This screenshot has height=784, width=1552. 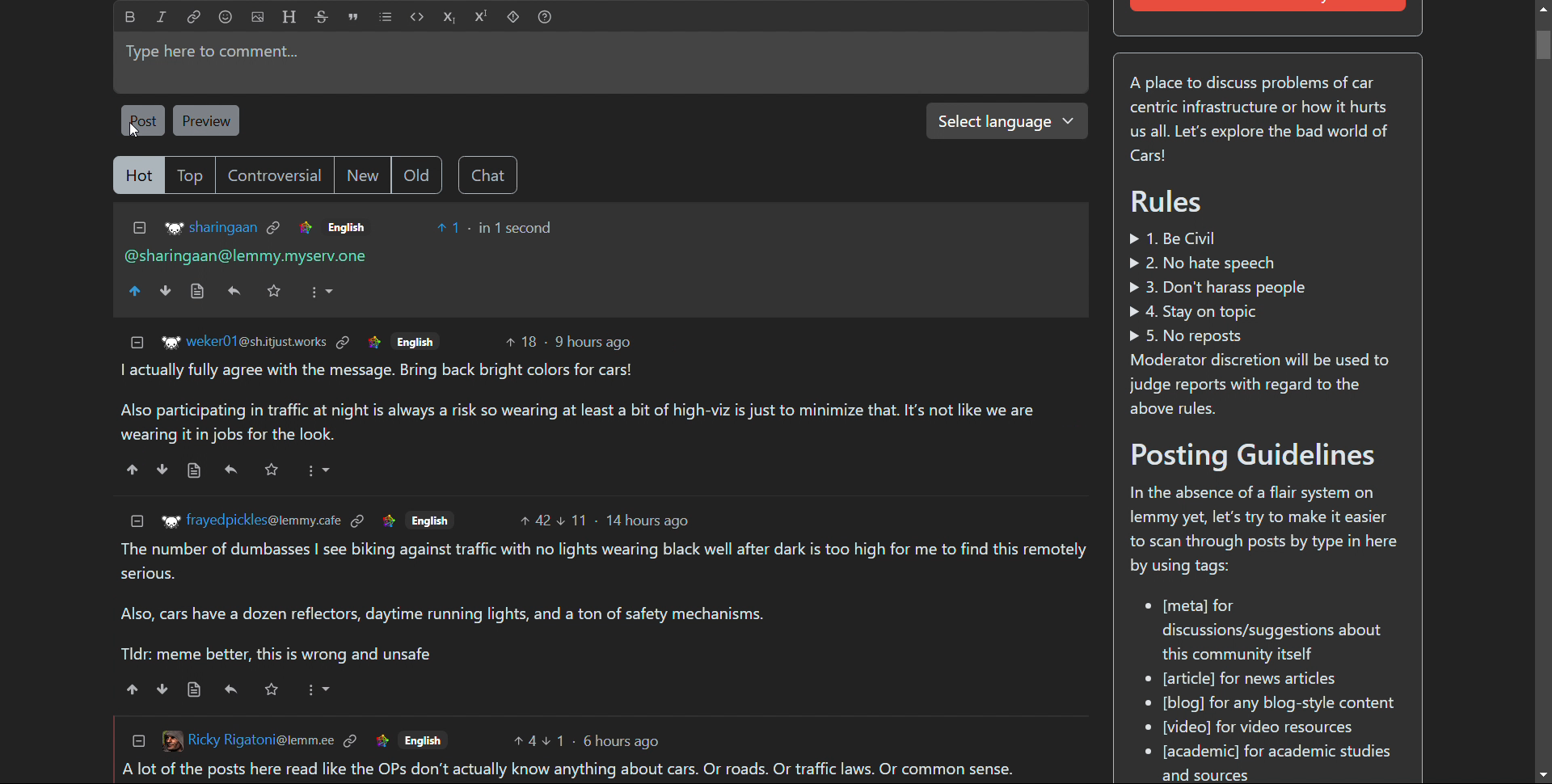 I want to click on upvotes 42, so click(x=536, y=519).